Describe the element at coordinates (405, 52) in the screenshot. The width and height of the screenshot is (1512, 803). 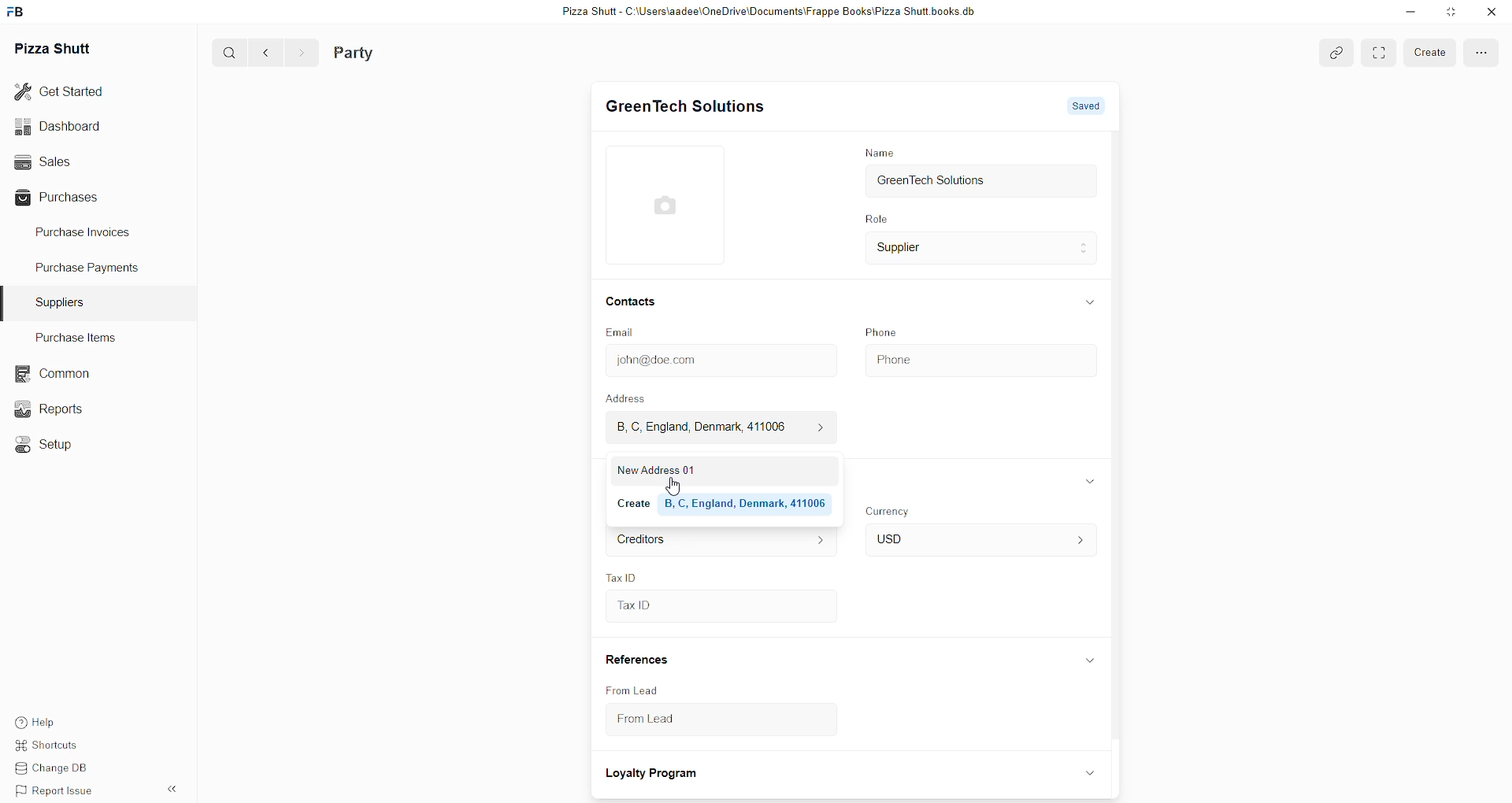
I see `Purchase Invoice` at that location.